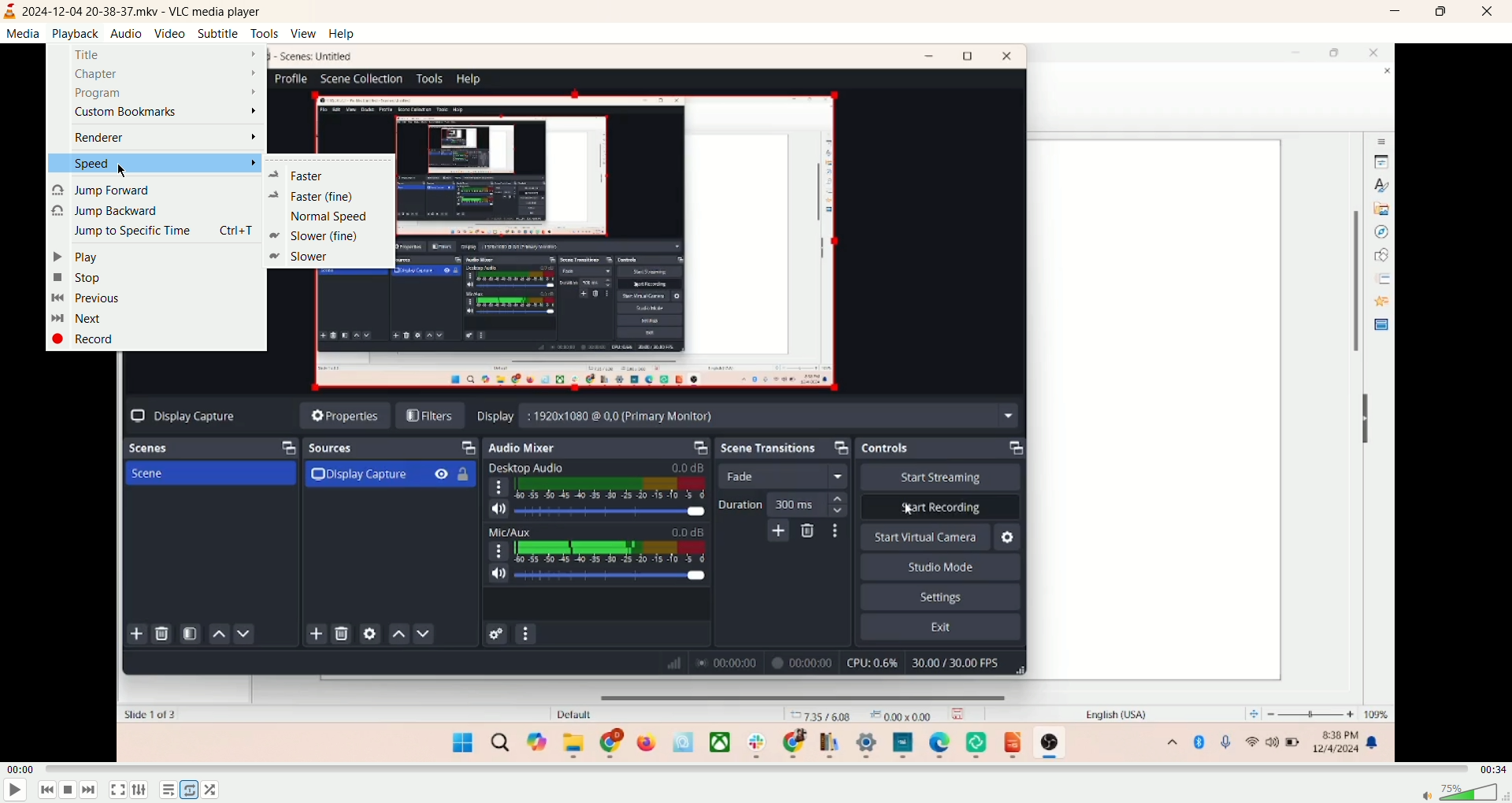 The height and width of the screenshot is (803, 1512). What do you see at coordinates (215, 33) in the screenshot?
I see `subtitle` at bounding box center [215, 33].